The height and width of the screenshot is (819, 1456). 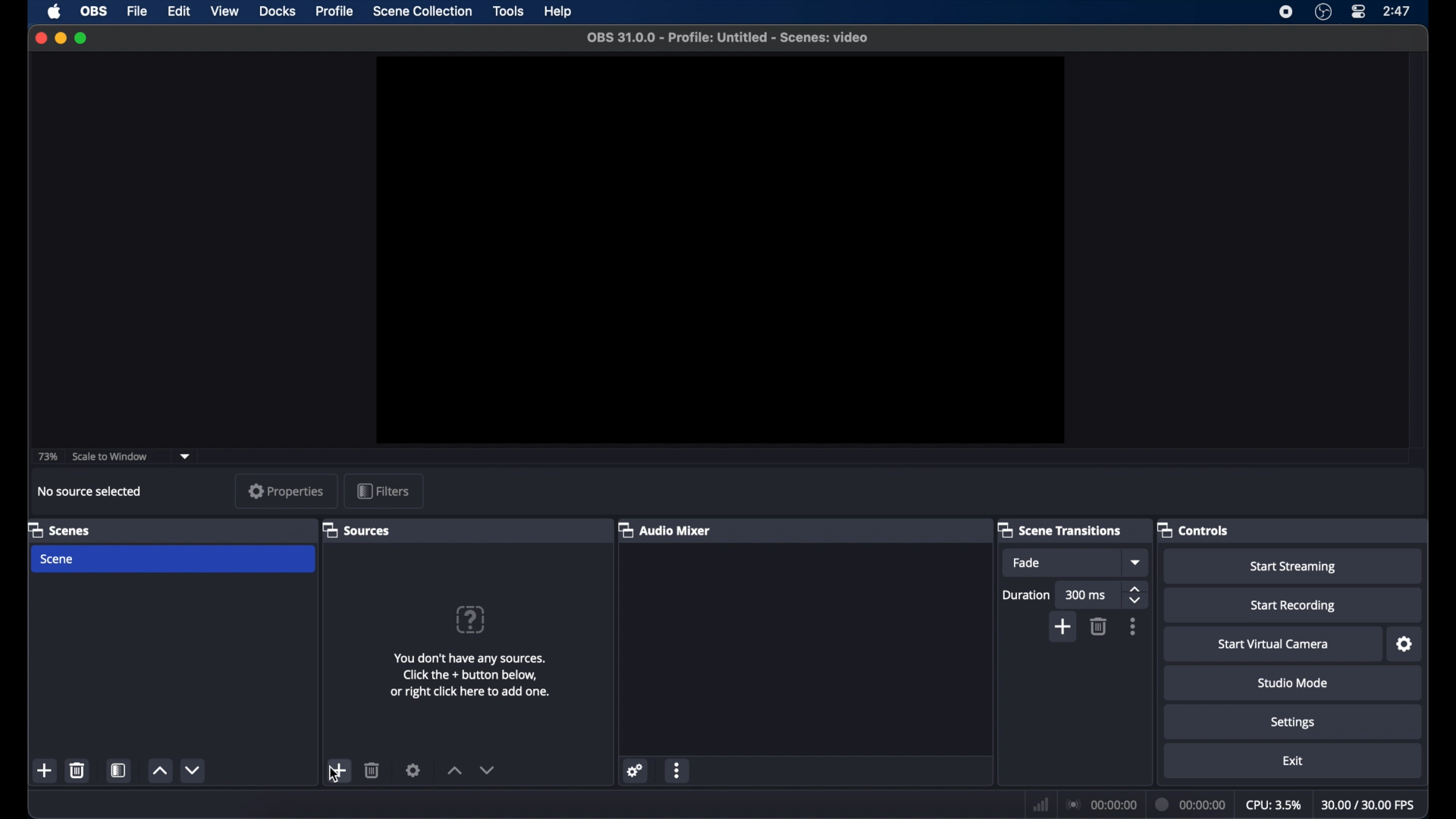 I want to click on question mark icon, so click(x=469, y=619).